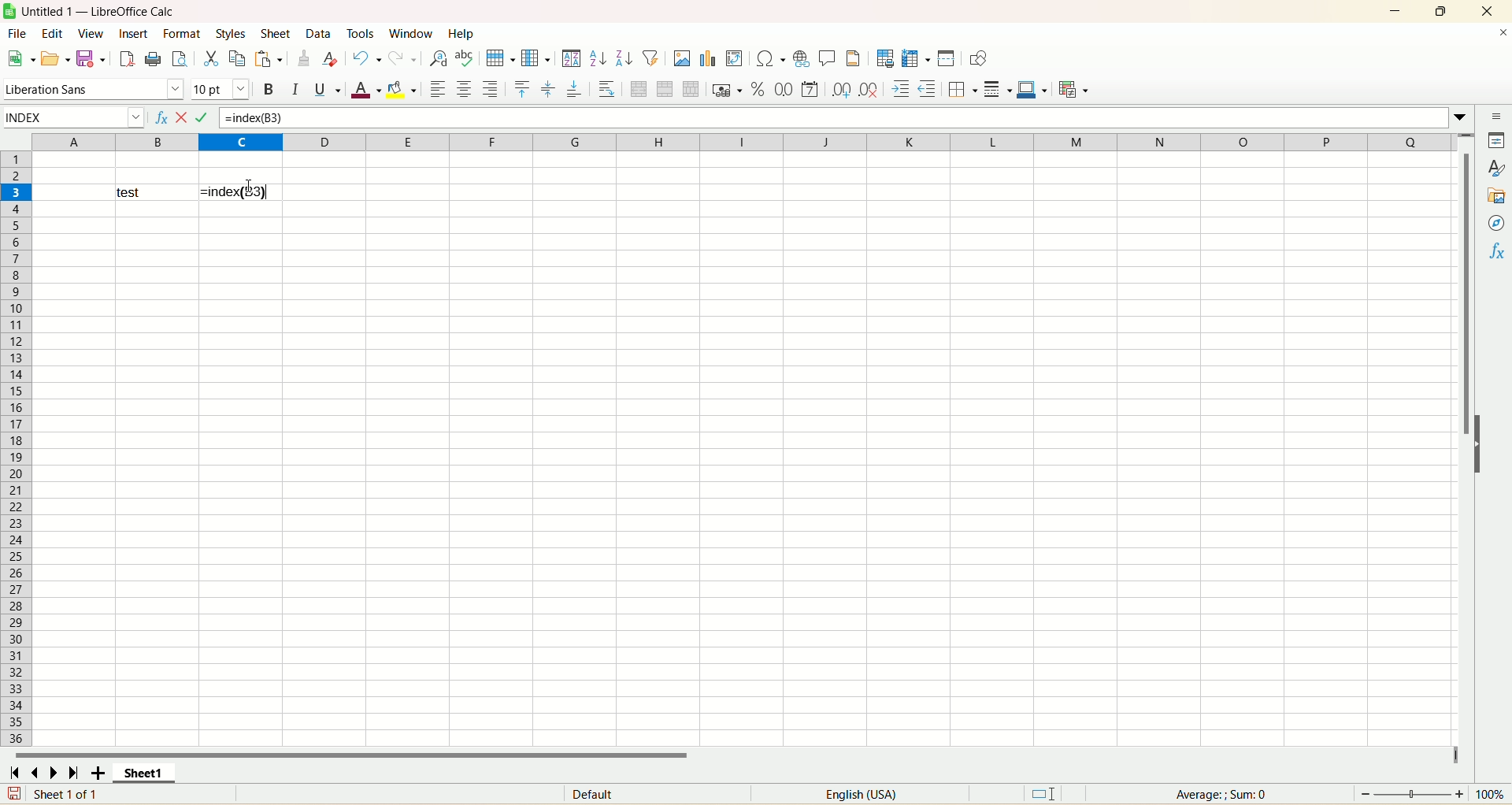  Describe the element at coordinates (402, 89) in the screenshot. I see `background color` at that location.